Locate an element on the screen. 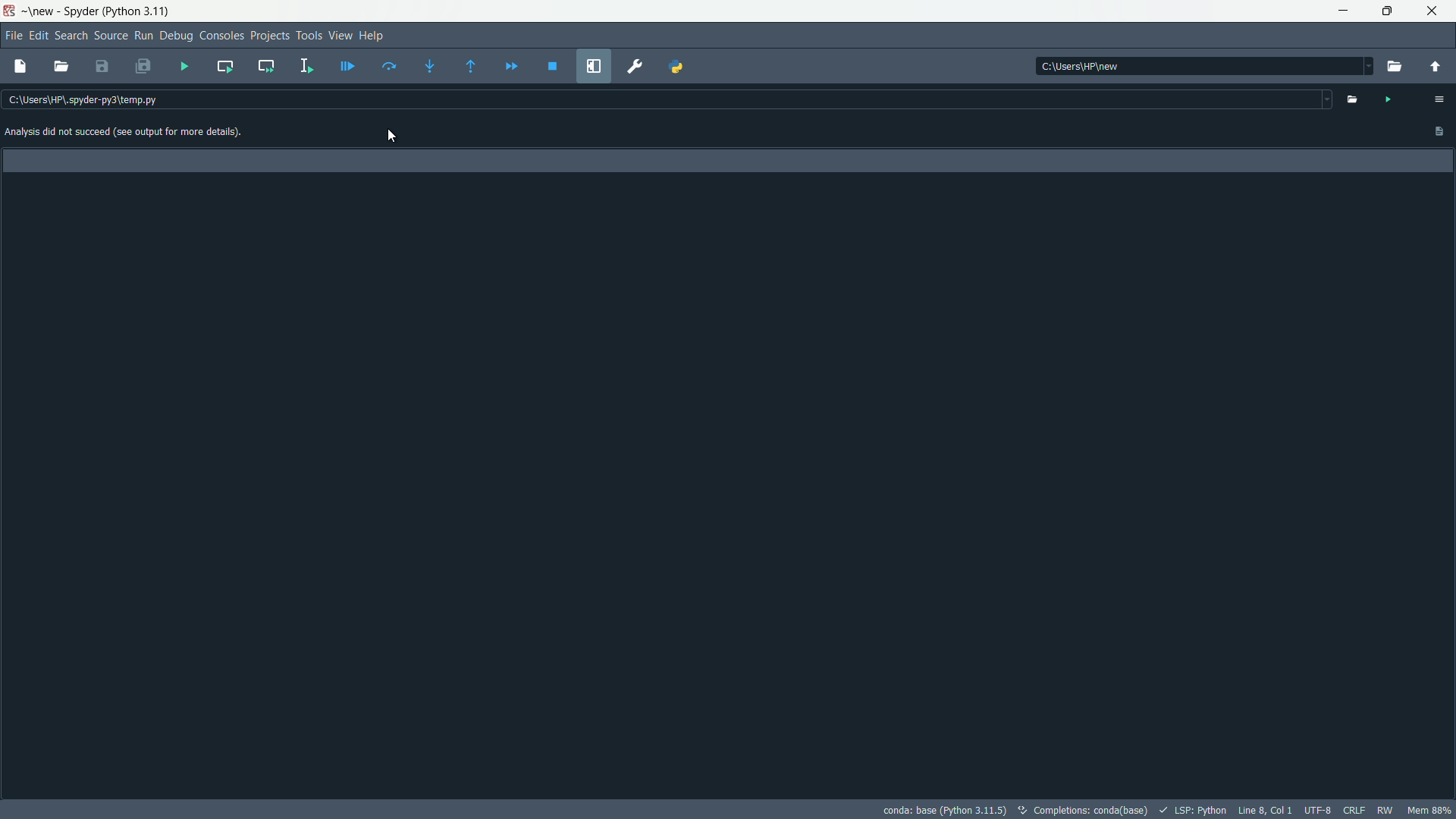  stop debugging is located at coordinates (553, 66).